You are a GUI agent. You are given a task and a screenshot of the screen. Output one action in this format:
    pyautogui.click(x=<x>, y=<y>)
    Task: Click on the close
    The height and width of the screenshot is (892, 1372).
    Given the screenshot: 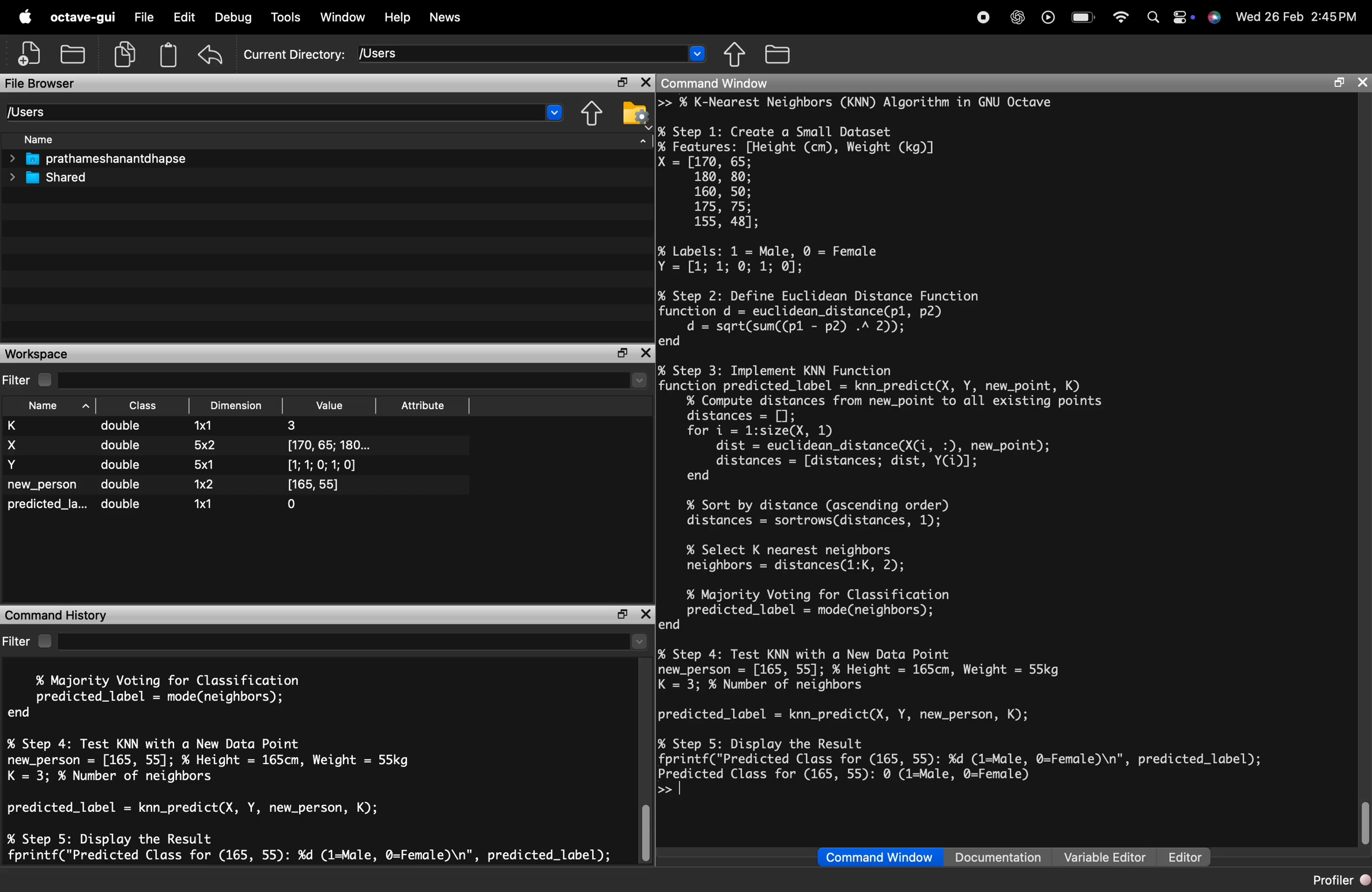 What is the action you would take?
    pyautogui.click(x=644, y=82)
    